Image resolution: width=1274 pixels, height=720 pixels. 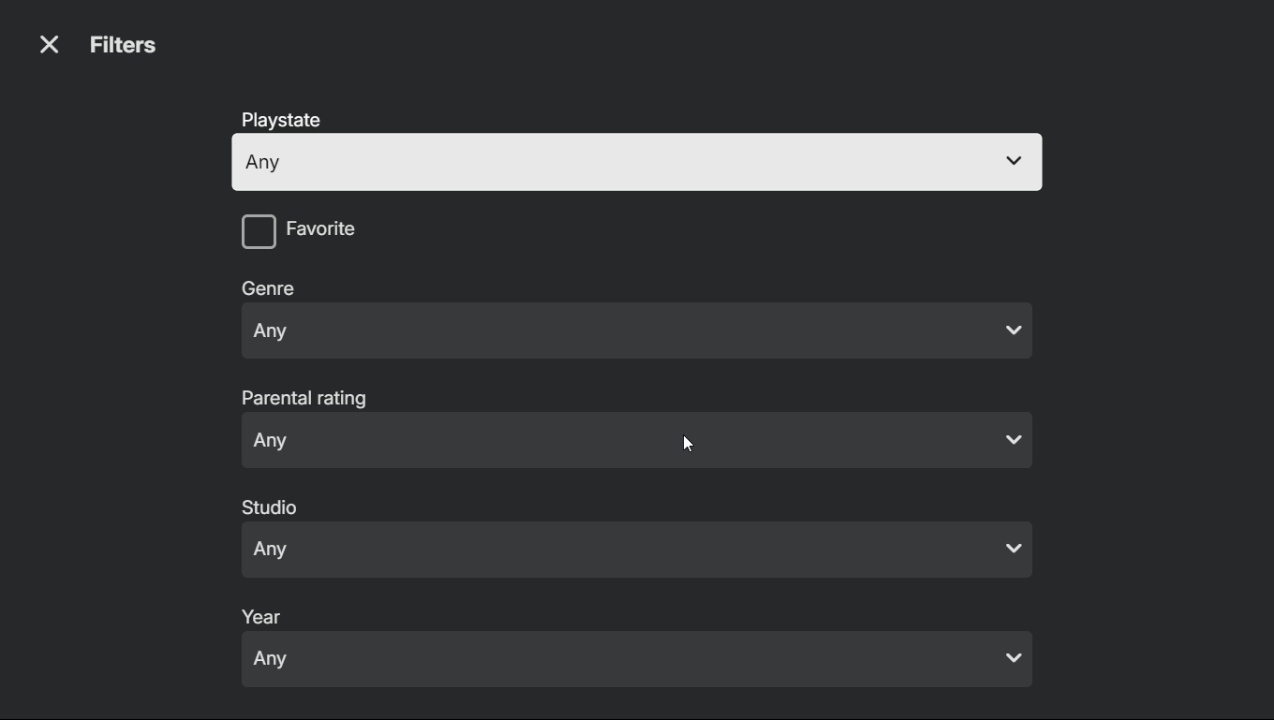 I want to click on checkbox: favorite, so click(x=390, y=235).